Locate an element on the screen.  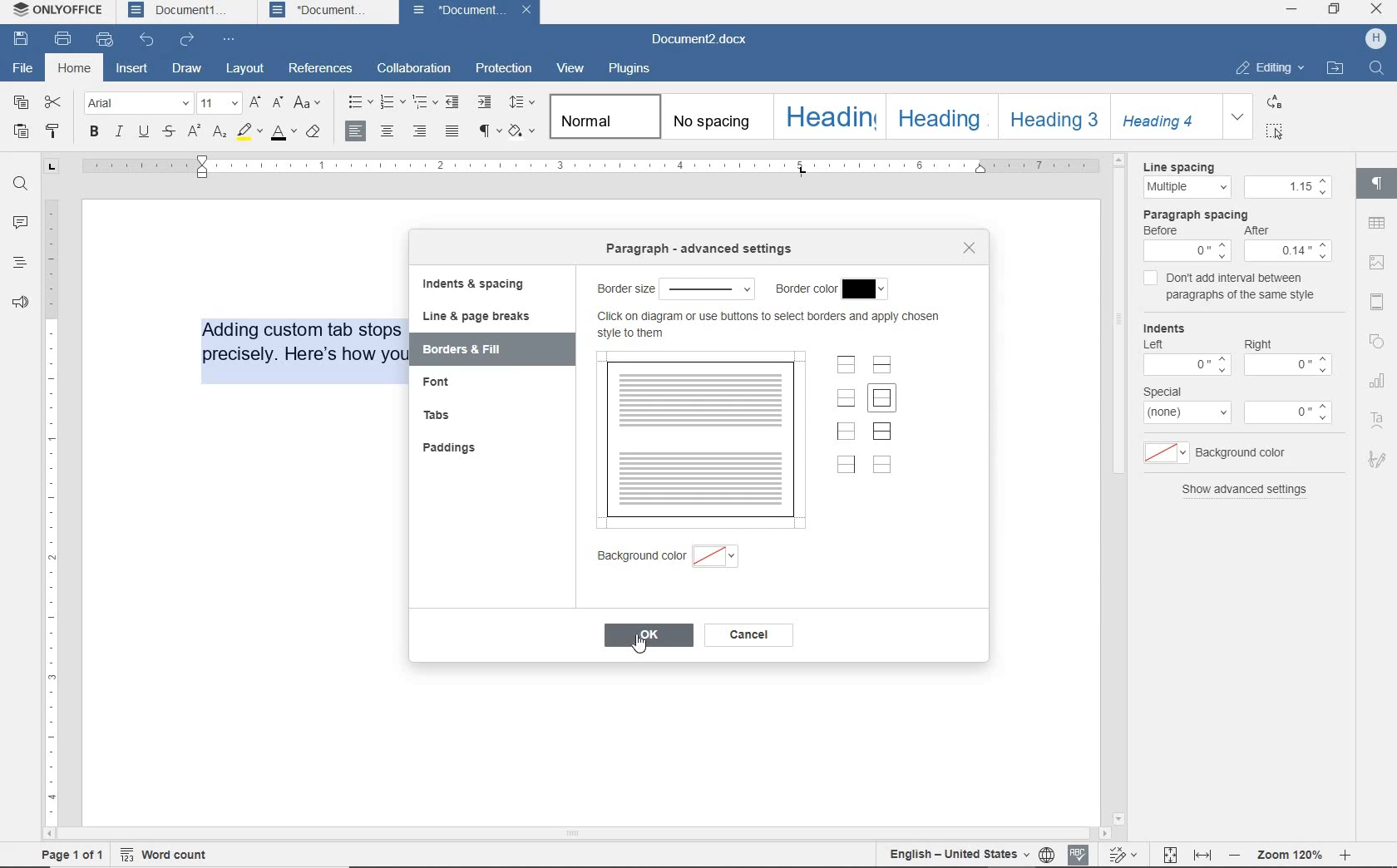
superscript is located at coordinates (196, 131).